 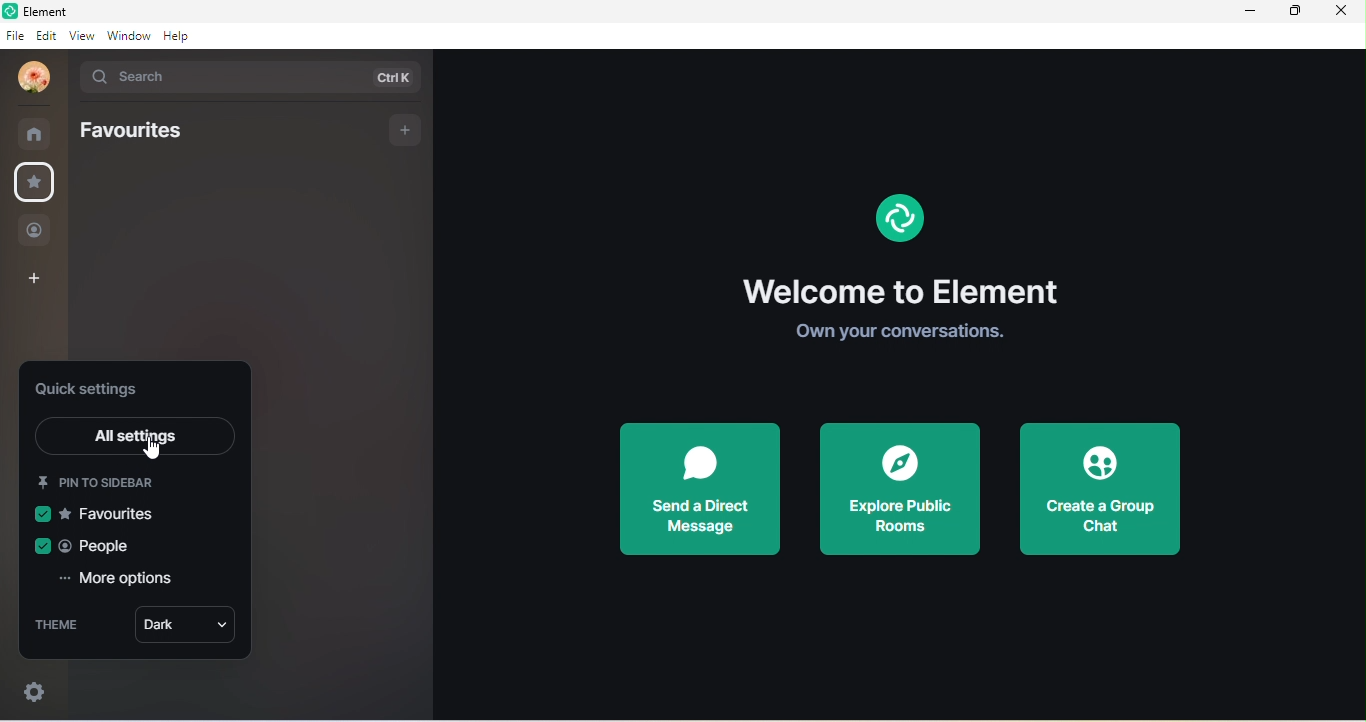 I want to click on element logo, so click(x=896, y=227).